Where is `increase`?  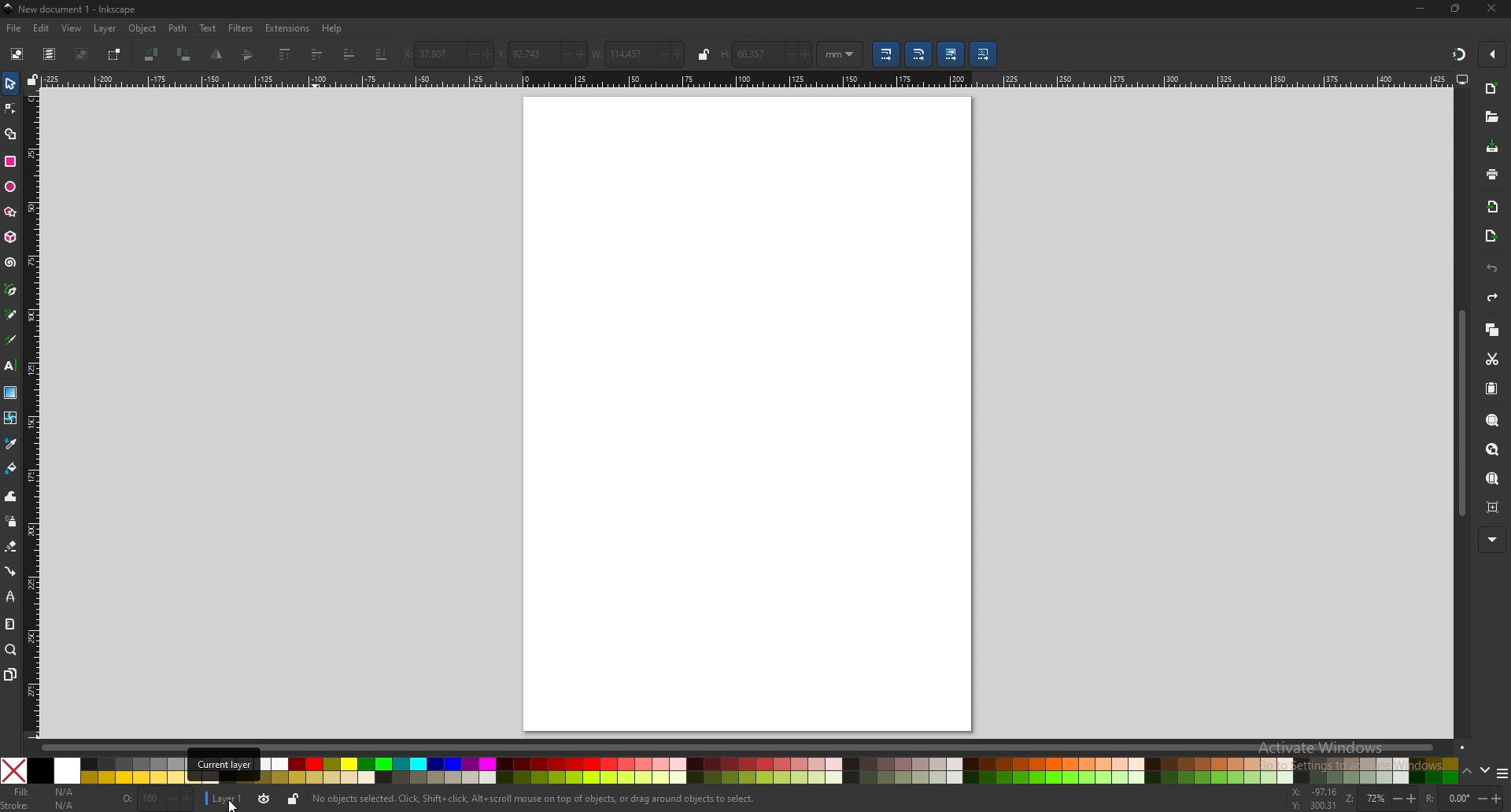 increase is located at coordinates (580, 54).